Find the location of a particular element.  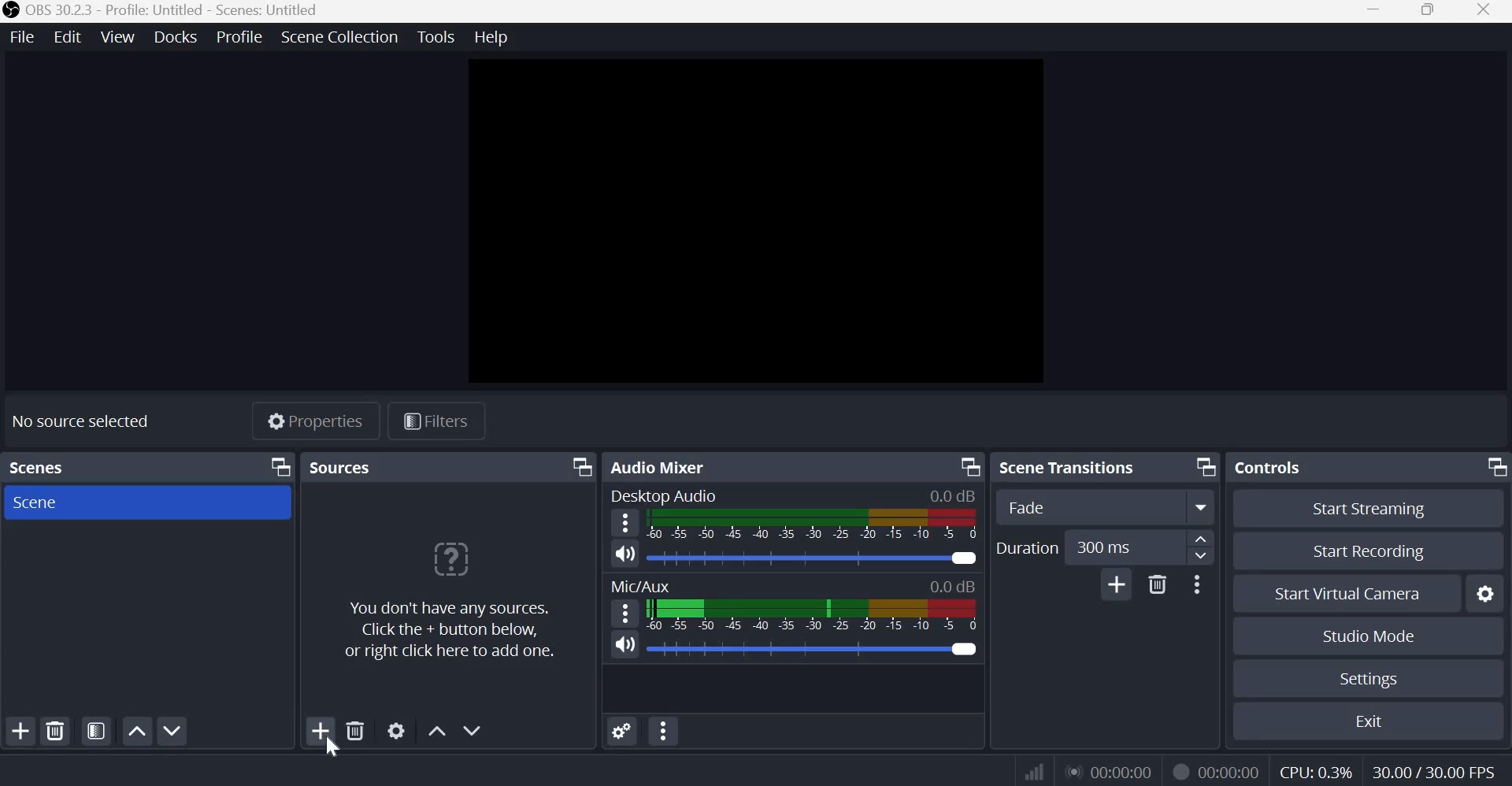

Help is located at coordinates (495, 38).